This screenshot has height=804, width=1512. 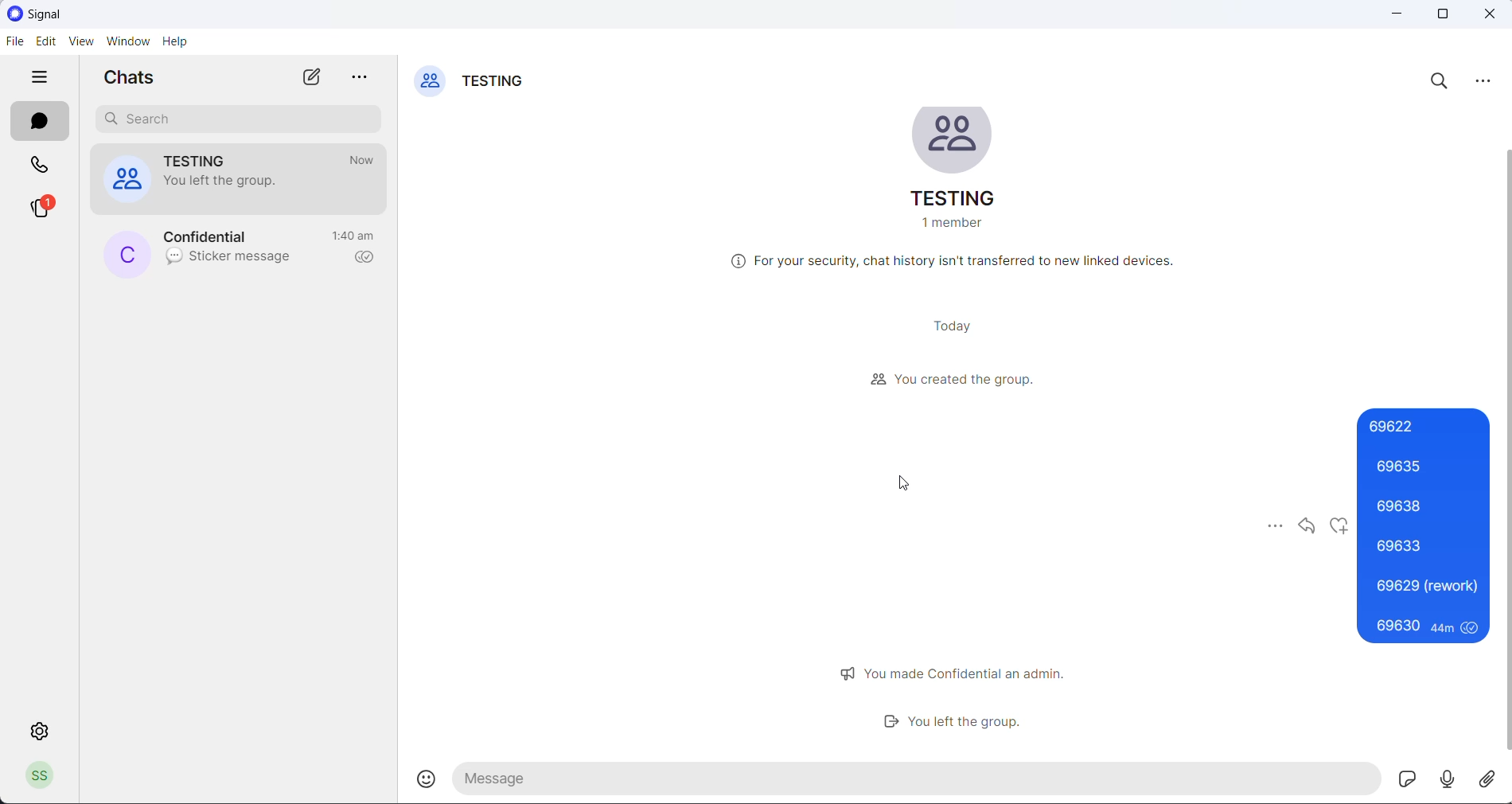 What do you see at coordinates (217, 236) in the screenshot?
I see `contact name` at bounding box center [217, 236].